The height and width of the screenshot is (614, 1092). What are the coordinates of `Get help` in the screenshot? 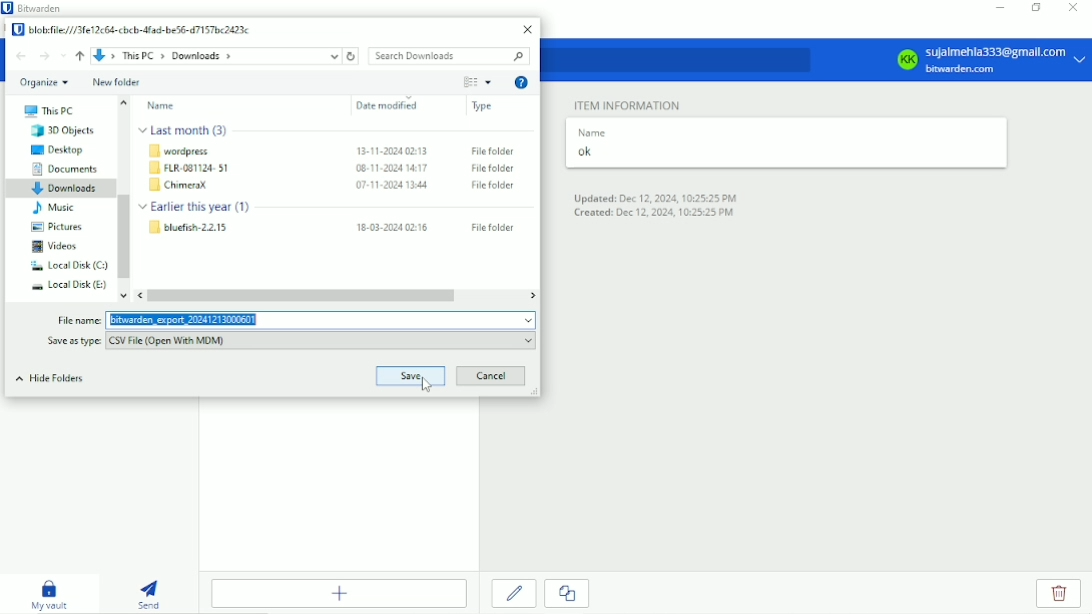 It's located at (523, 82).